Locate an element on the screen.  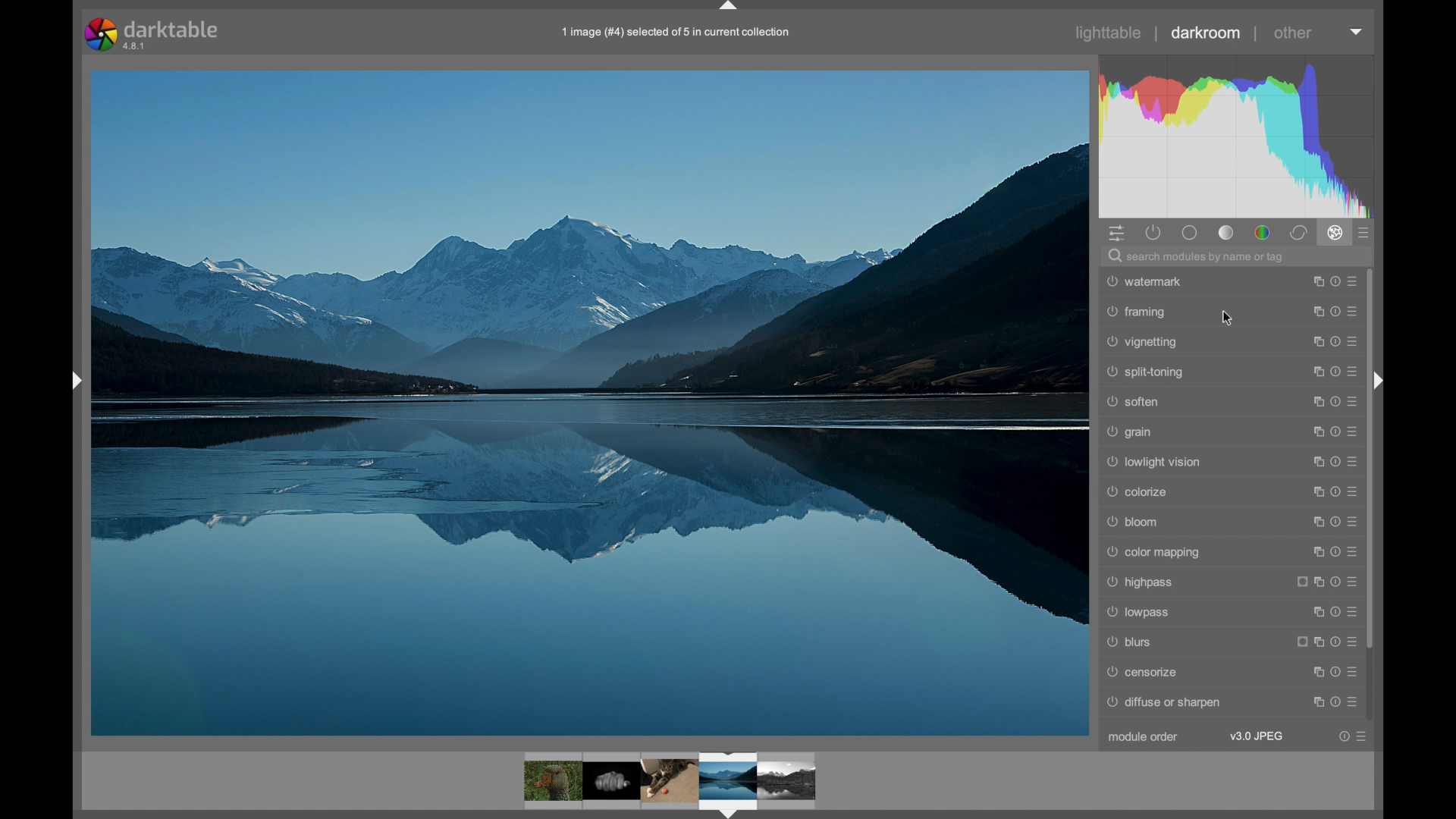
more options is located at coordinates (1327, 642).